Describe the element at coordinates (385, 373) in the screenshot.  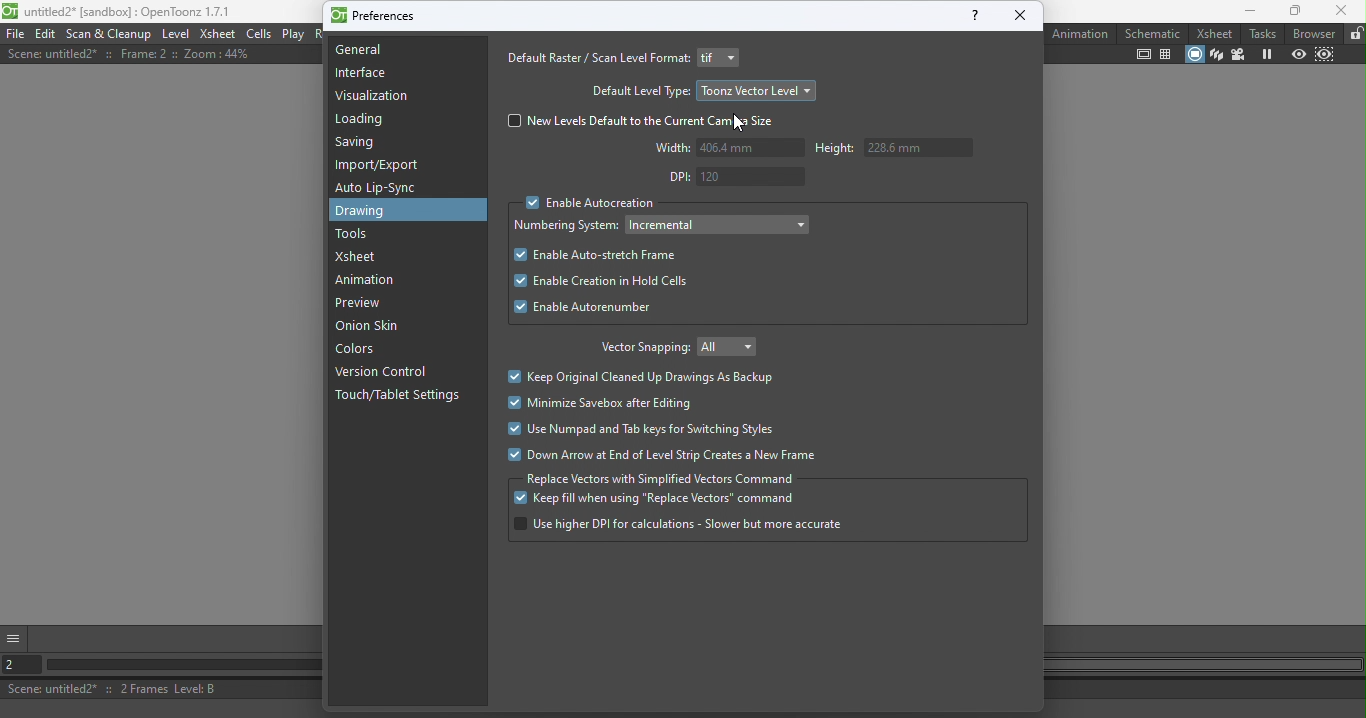
I see `Version control` at that location.